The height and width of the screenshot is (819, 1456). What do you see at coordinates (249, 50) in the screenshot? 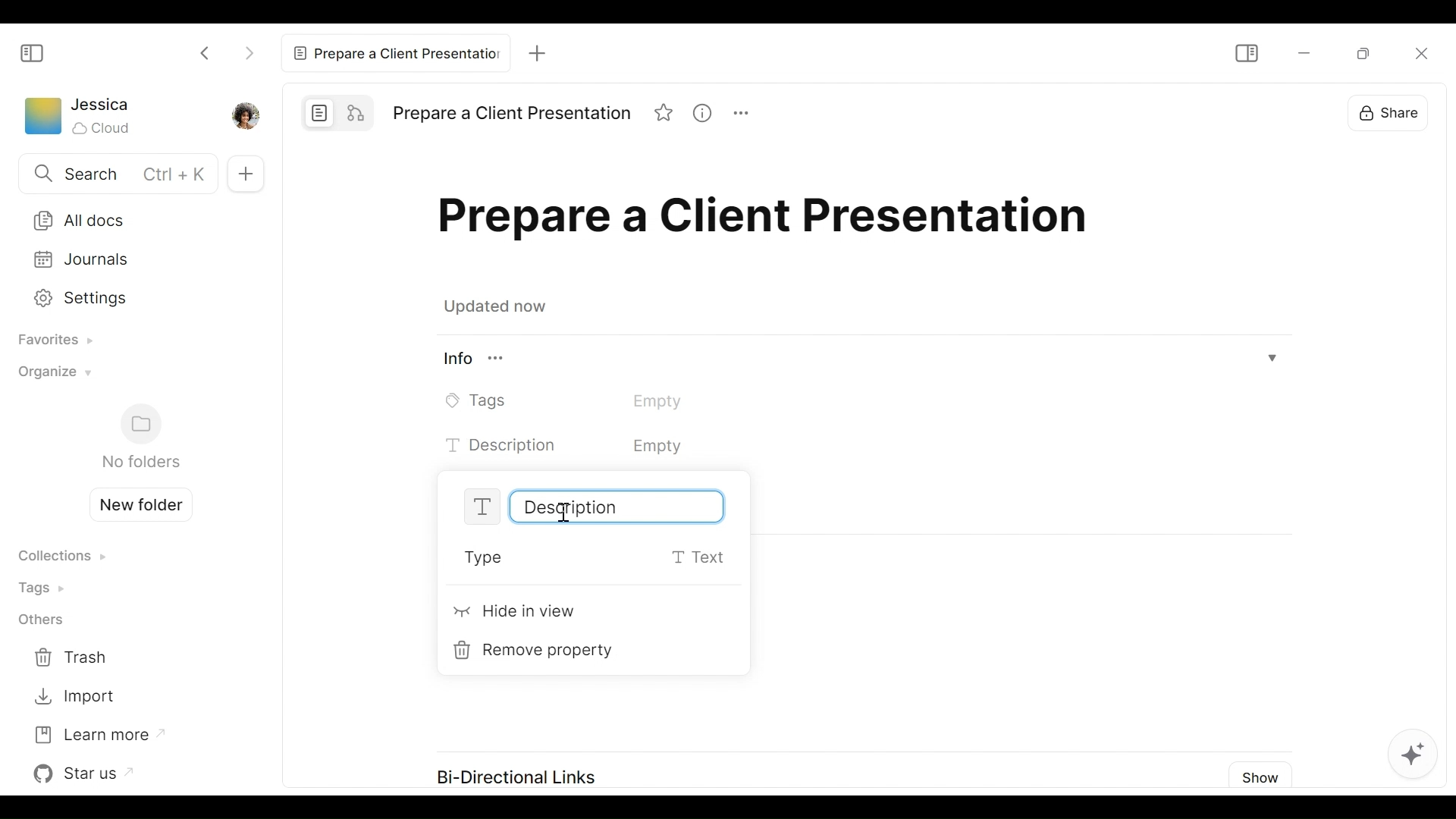
I see `Click to go Forward` at bounding box center [249, 50].